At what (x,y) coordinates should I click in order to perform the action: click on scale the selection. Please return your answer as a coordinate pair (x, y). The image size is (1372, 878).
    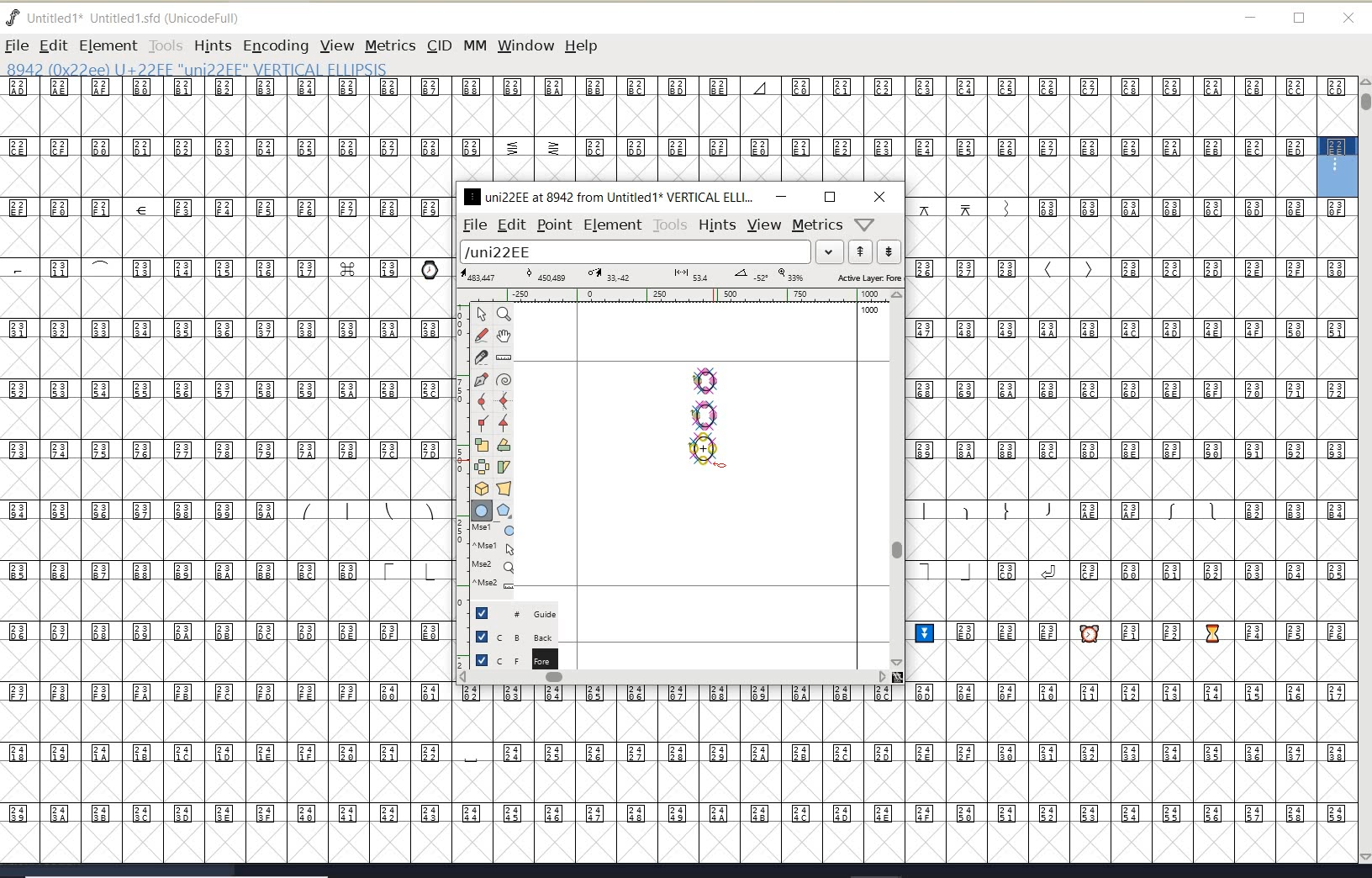
    Looking at the image, I should click on (482, 445).